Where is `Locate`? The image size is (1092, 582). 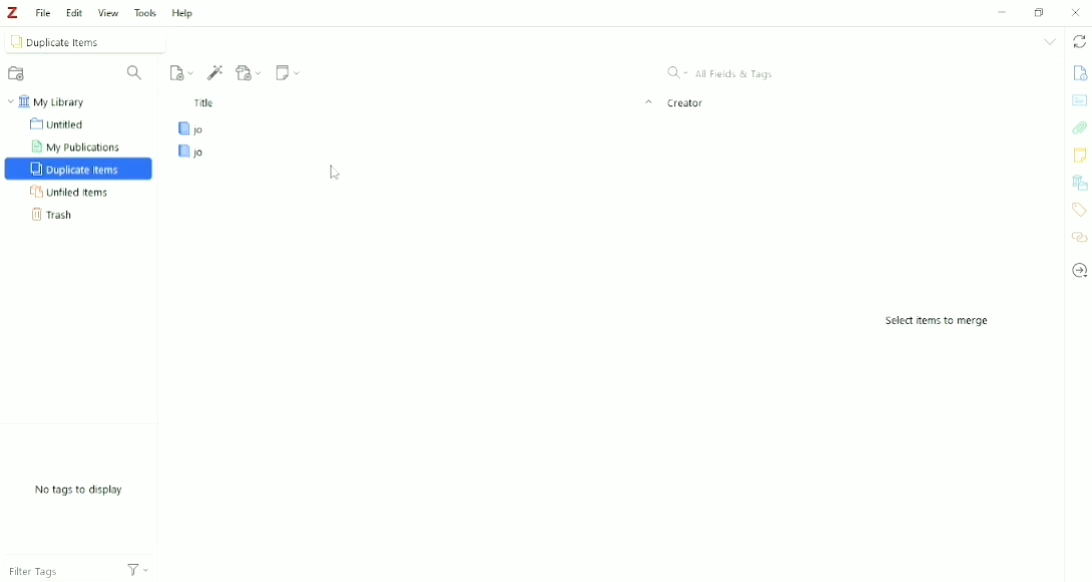 Locate is located at coordinates (1079, 271).